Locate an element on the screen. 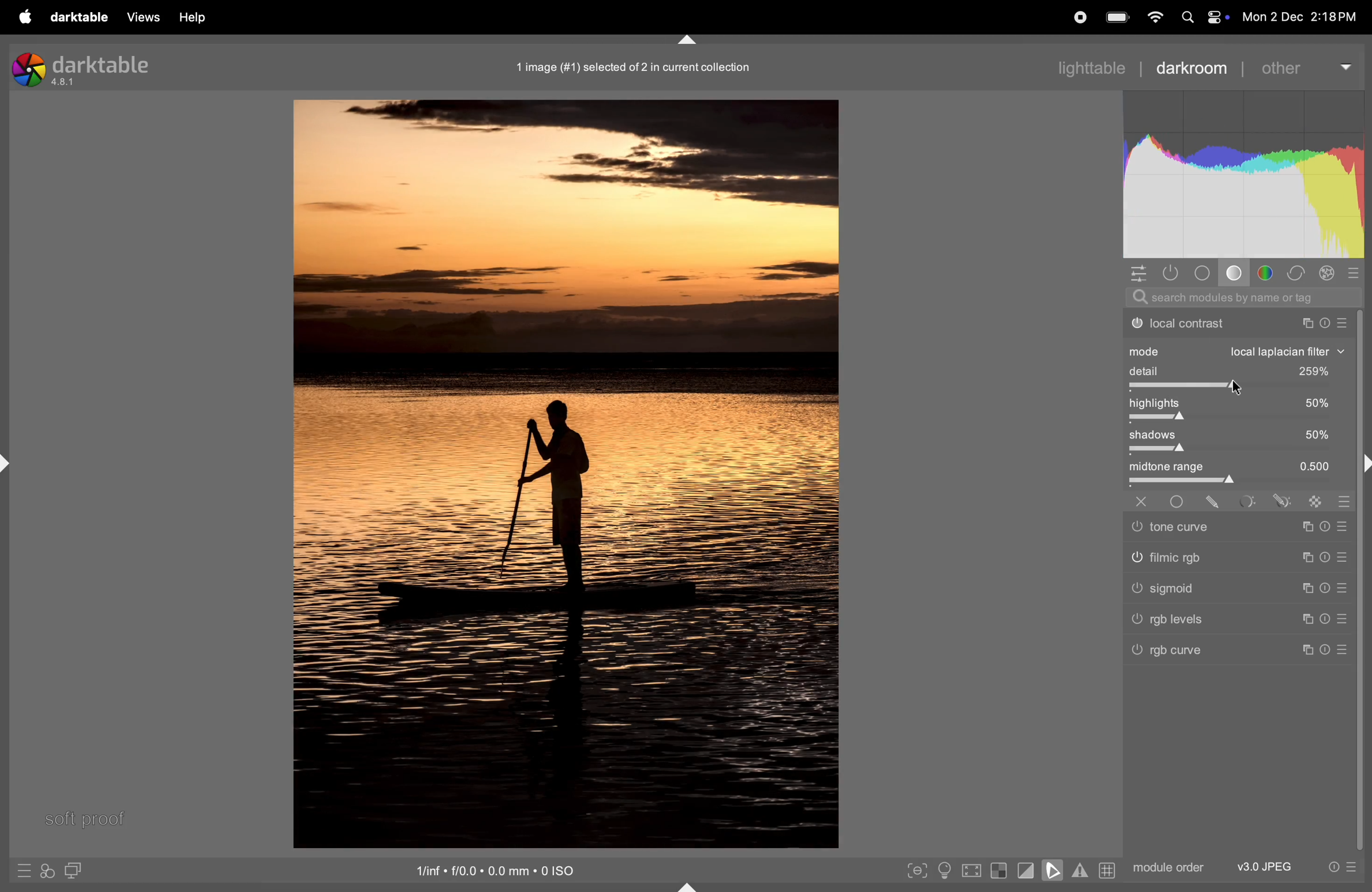  toggle indication of raw exposure is located at coordinates (1000, 870).